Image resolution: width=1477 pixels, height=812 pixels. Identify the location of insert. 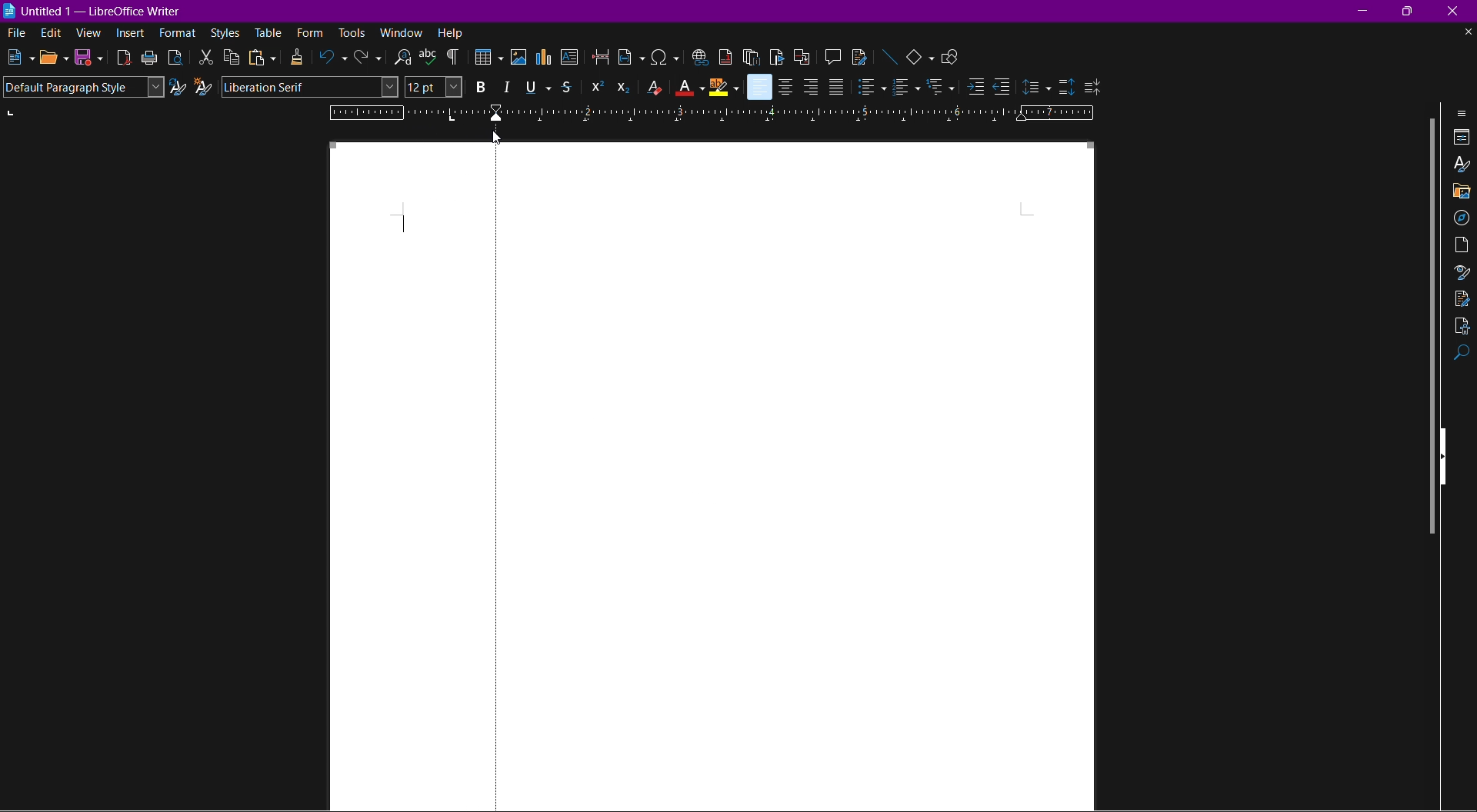
(132, 35).